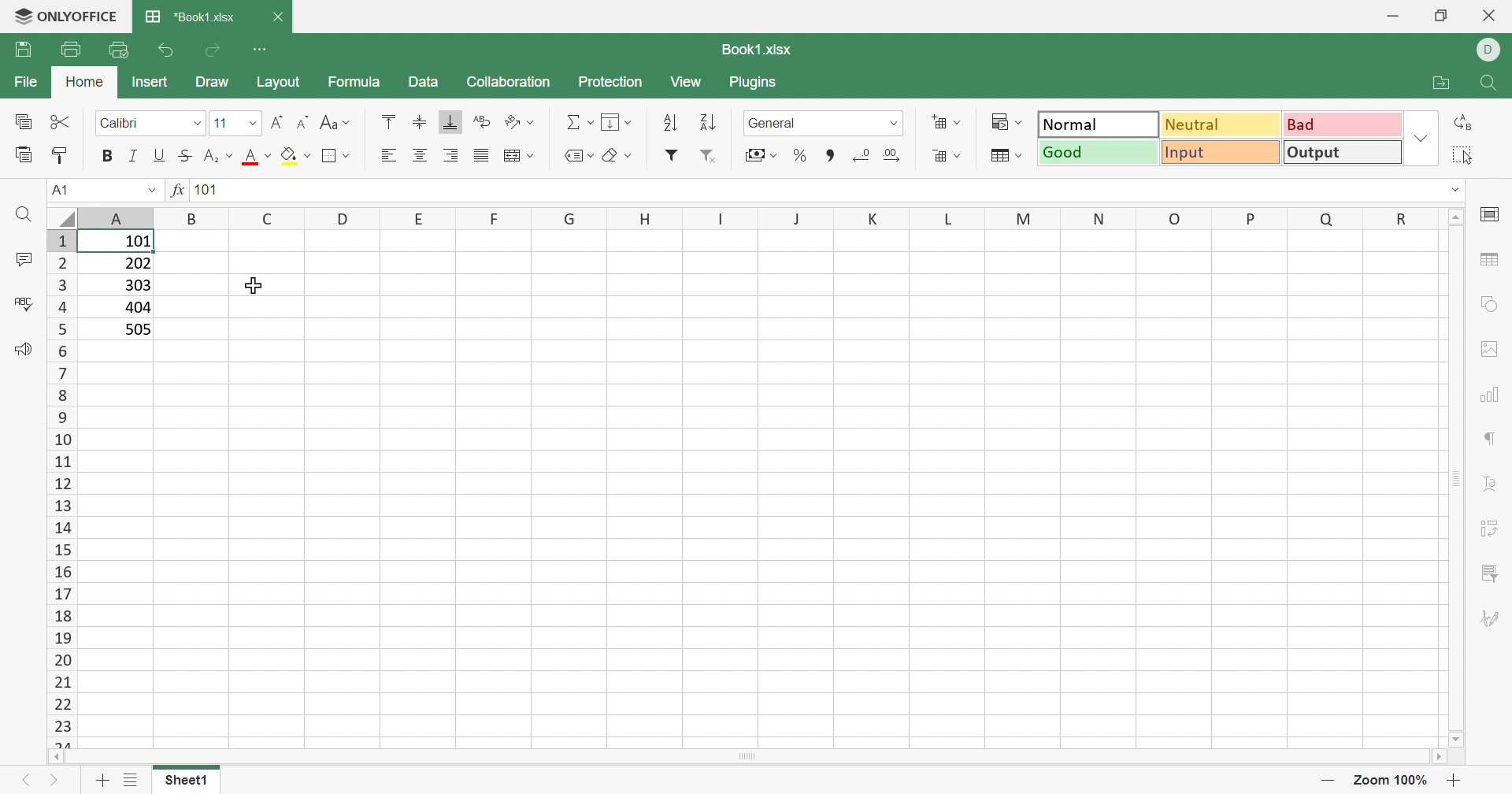 The width and height of the screenshot is (1512, 794). I want to click on Drop Down, so click(1421, 138).